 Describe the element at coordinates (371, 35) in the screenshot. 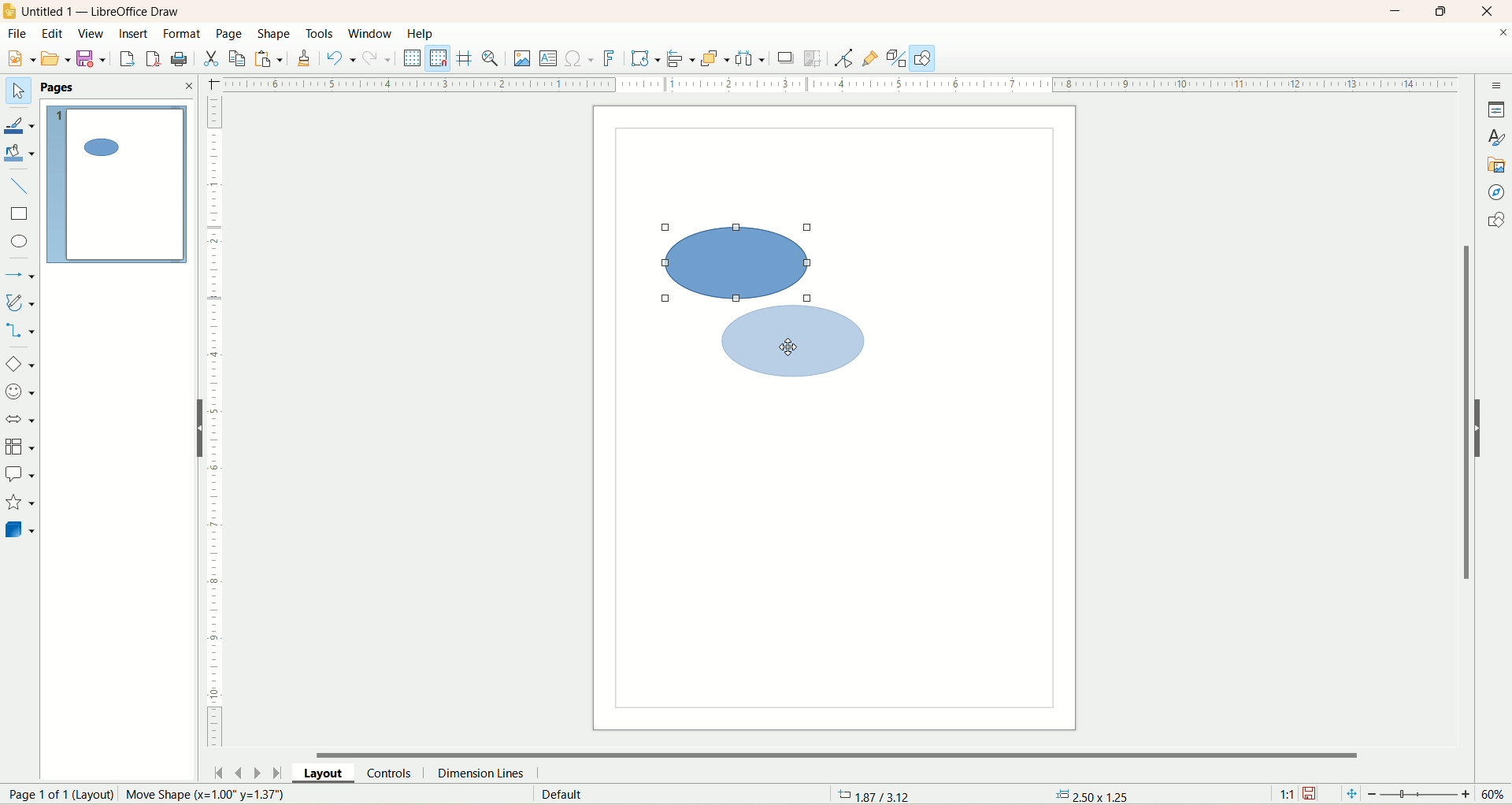

I see `window` at that location.